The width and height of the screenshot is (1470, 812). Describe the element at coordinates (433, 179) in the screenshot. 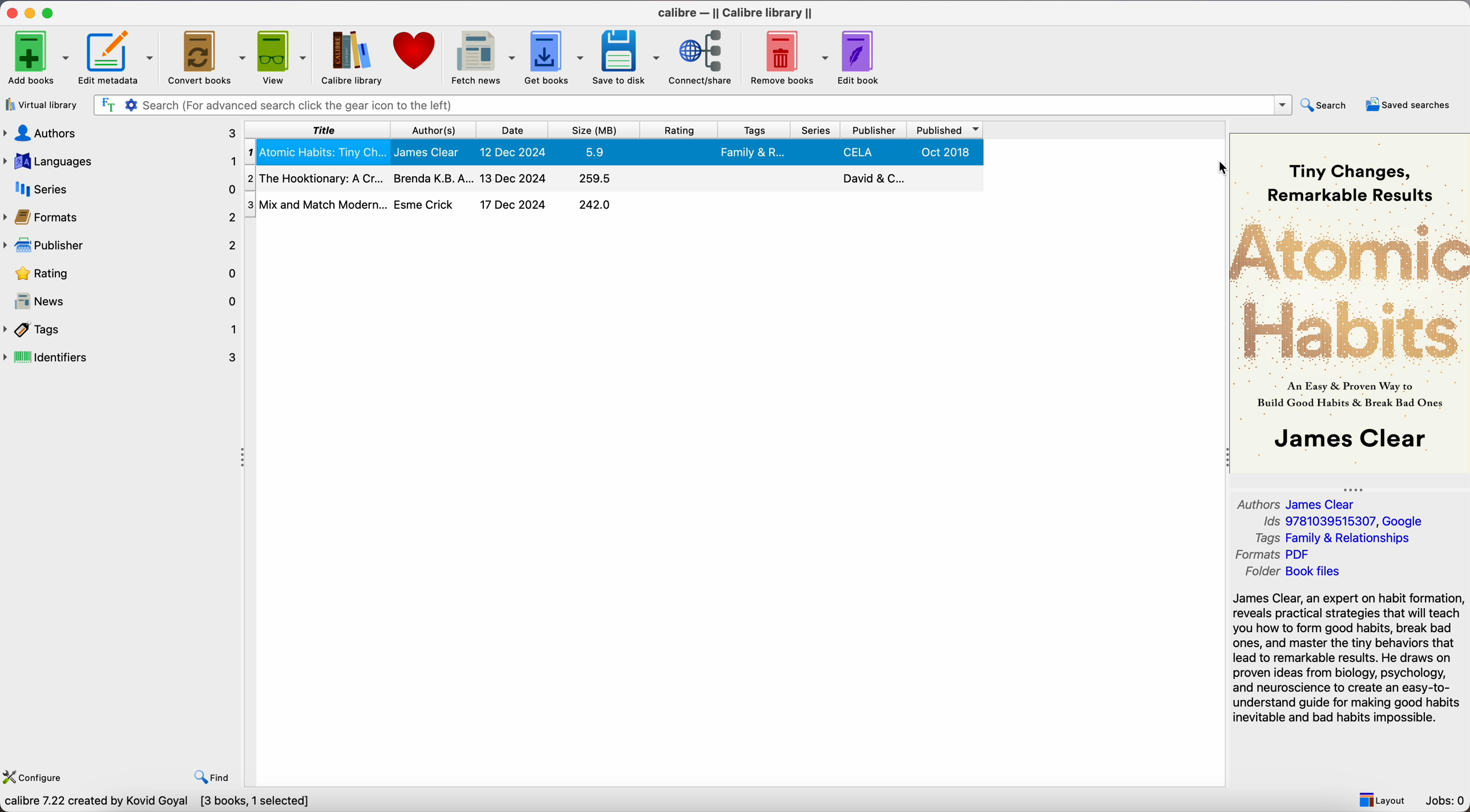

I see `Brenda K.B.A...` at that location.